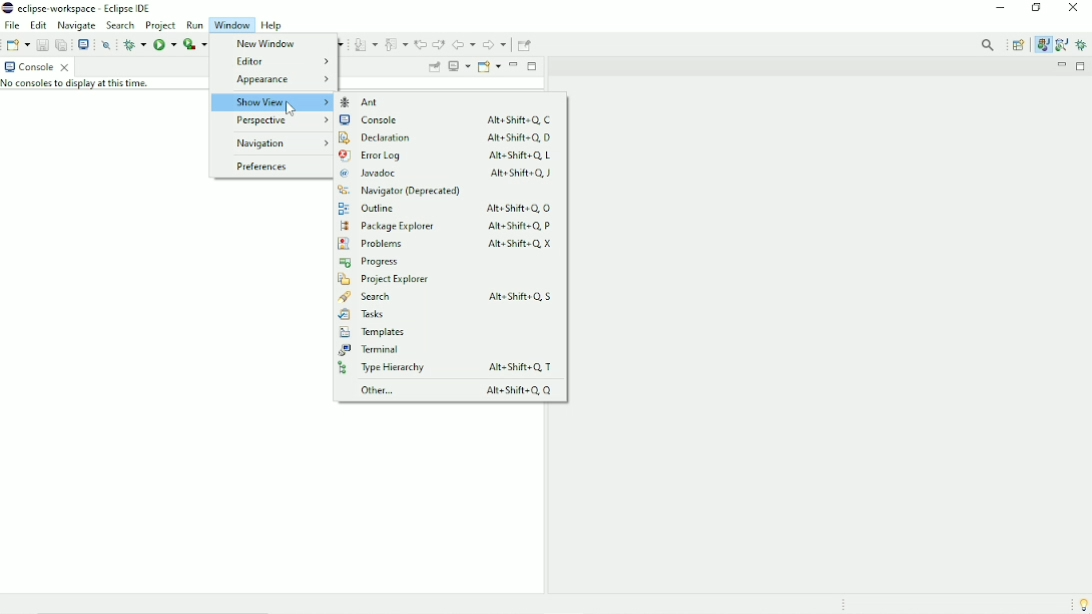  Describe the element at coordinates (194, 25) in the screenshot. I see `Run` at that location.